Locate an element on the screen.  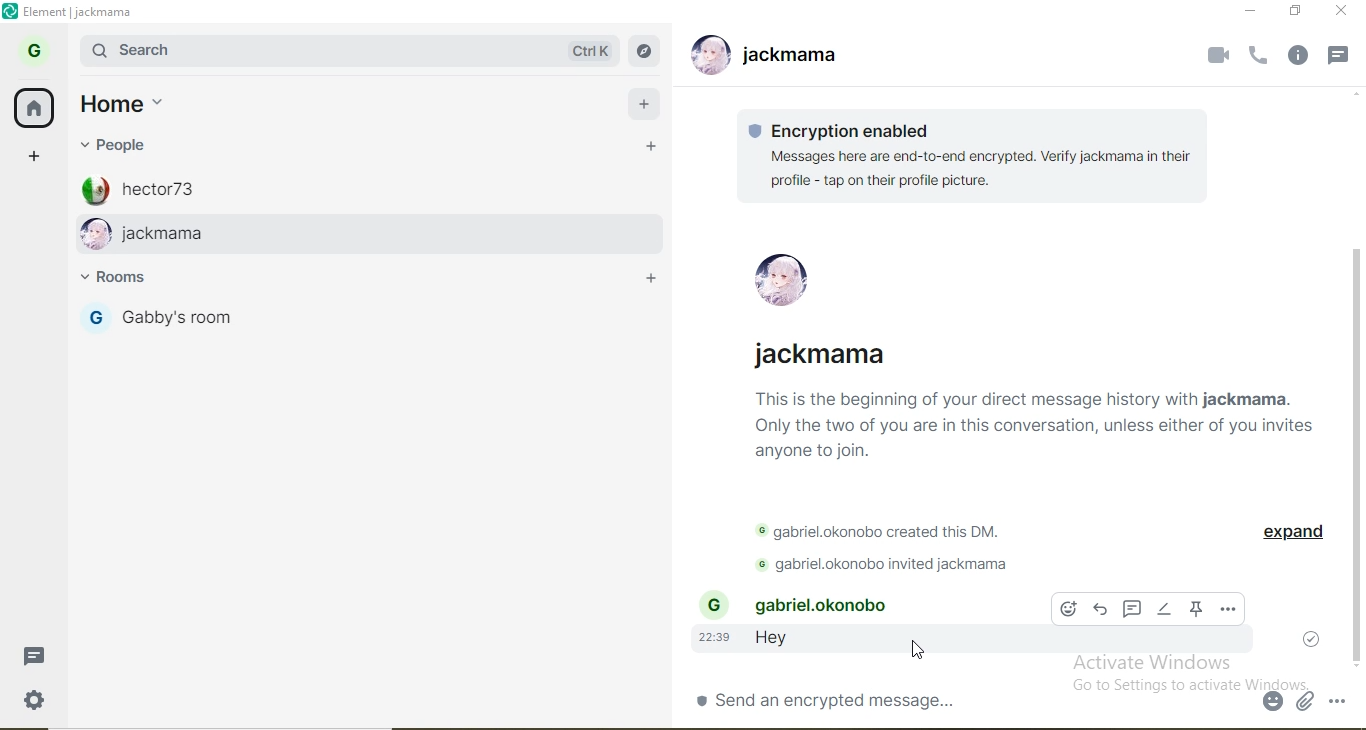
add space is located at coordinates (28, 159).